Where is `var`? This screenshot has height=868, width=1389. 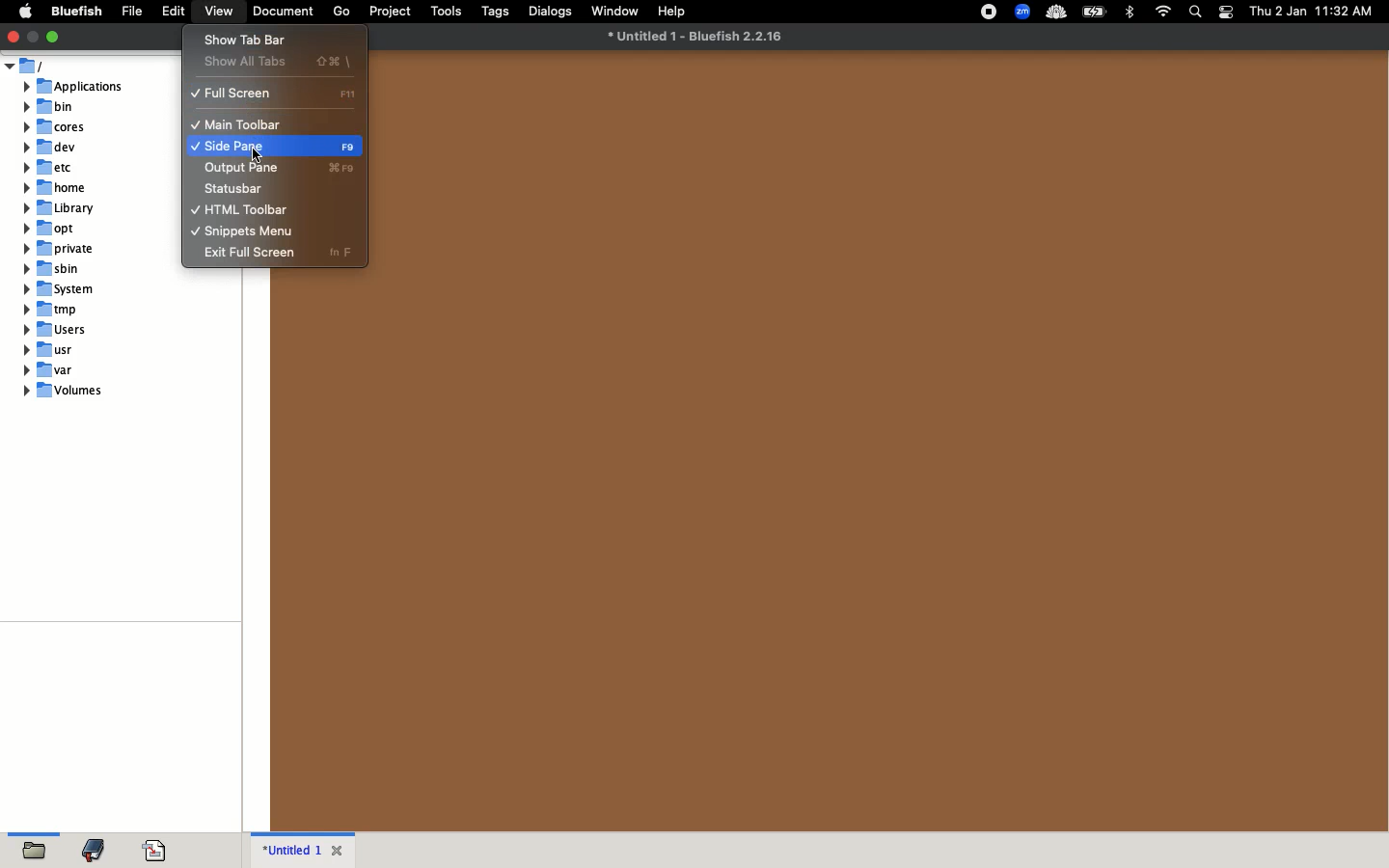
var is located at coordinates (50, 369).